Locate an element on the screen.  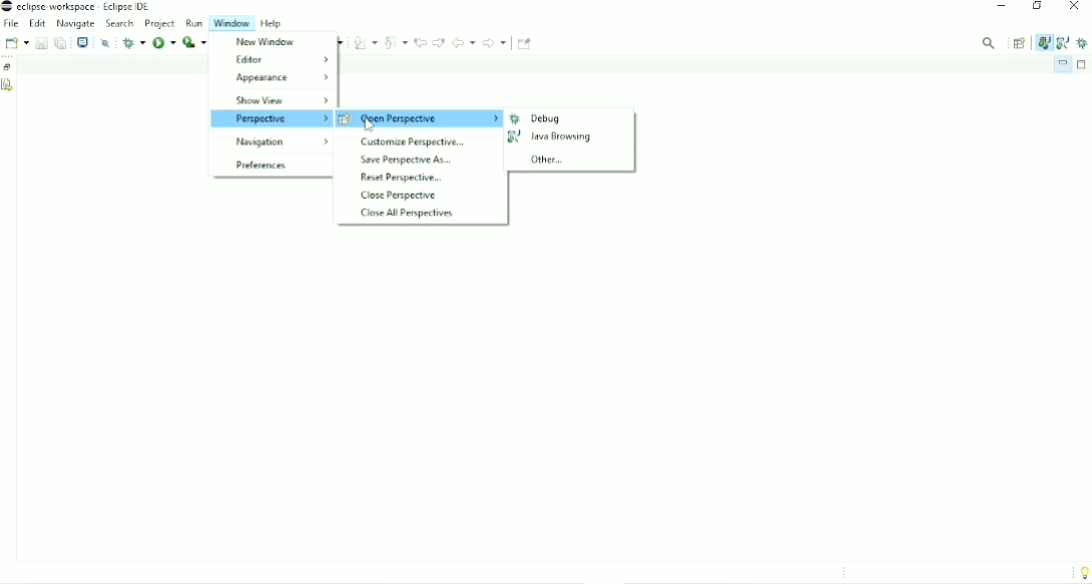
Customize Perspective is located at coordinates (412, 142).